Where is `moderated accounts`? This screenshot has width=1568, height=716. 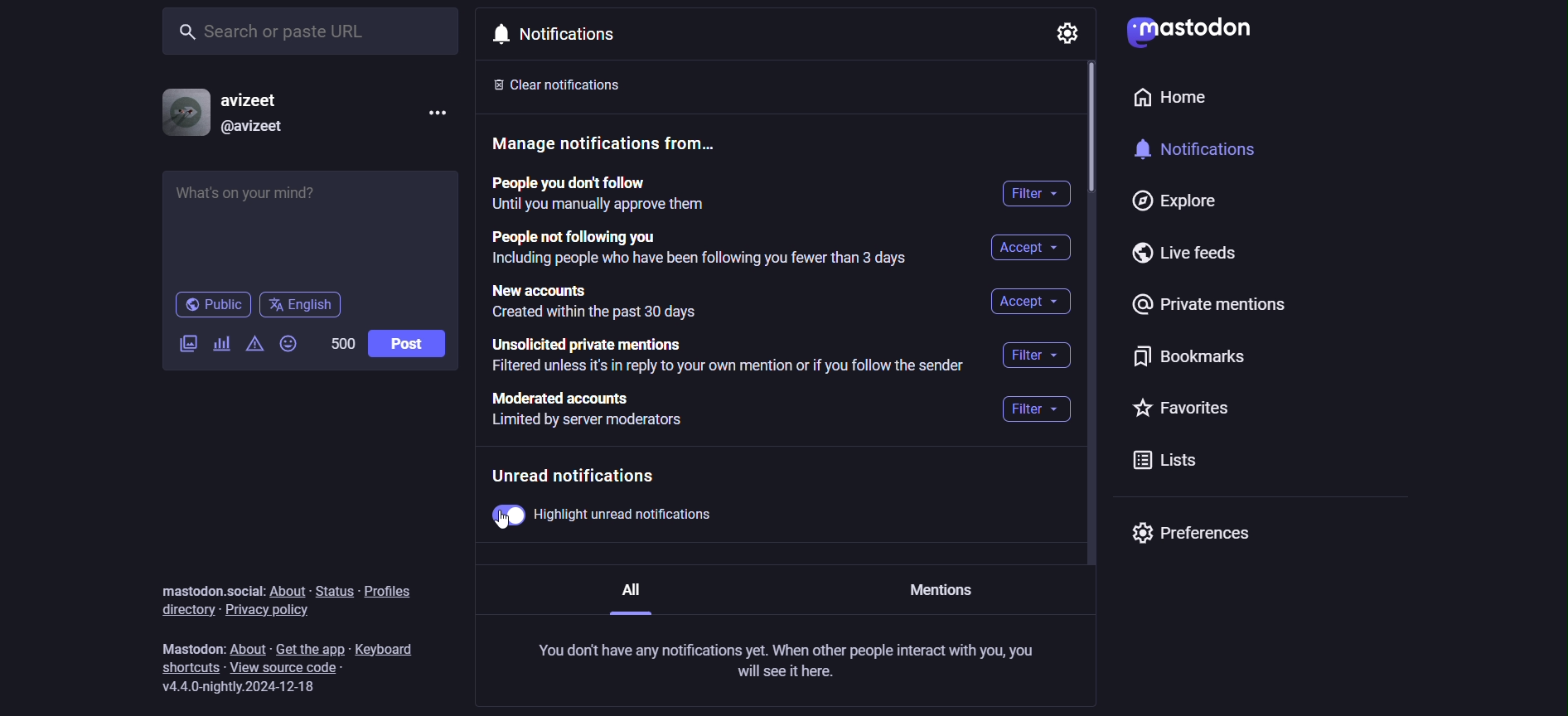 moderated accounts is located at coordinates (598, 415).